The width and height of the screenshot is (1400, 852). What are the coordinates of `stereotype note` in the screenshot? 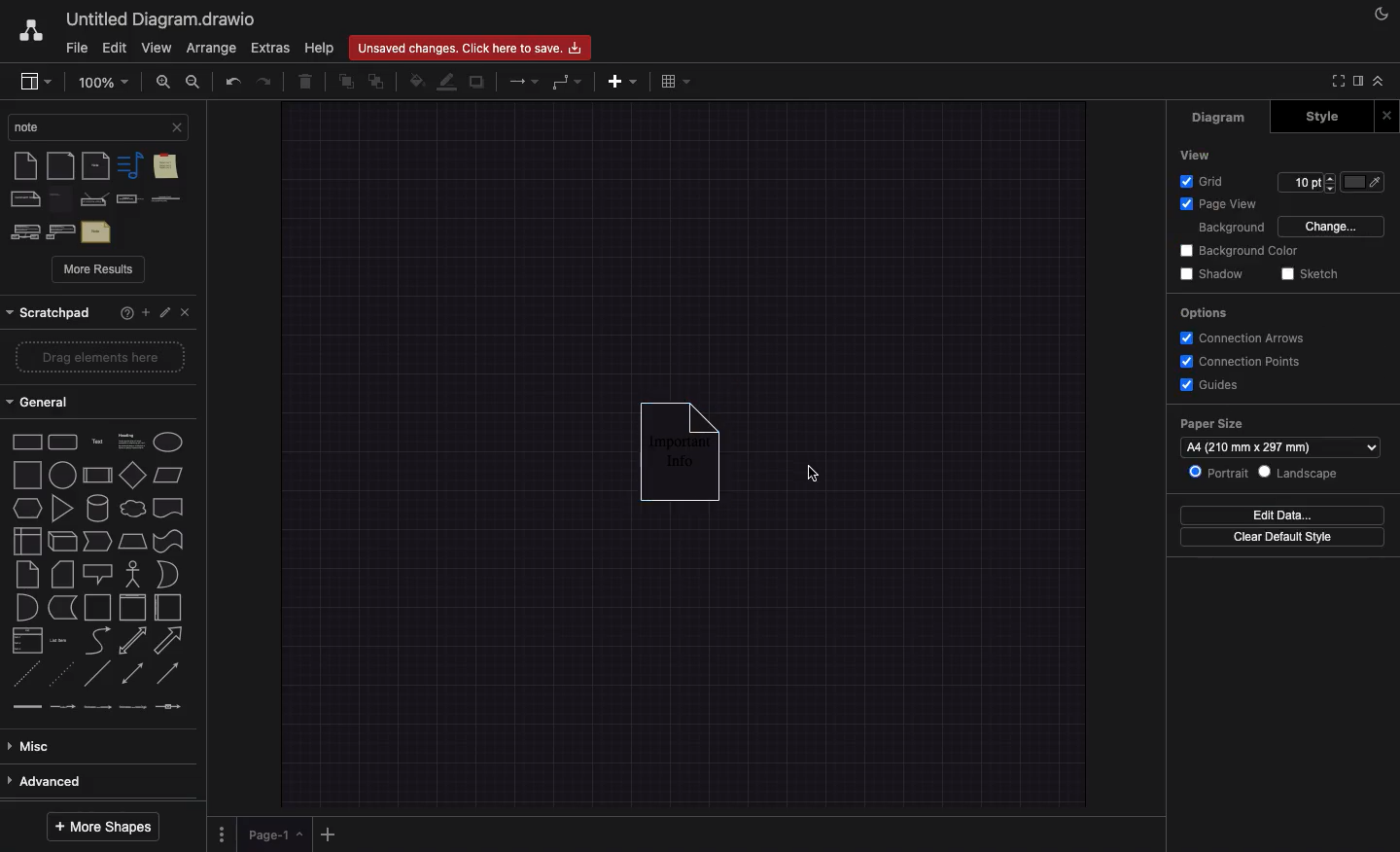 It's located at (61, 231).